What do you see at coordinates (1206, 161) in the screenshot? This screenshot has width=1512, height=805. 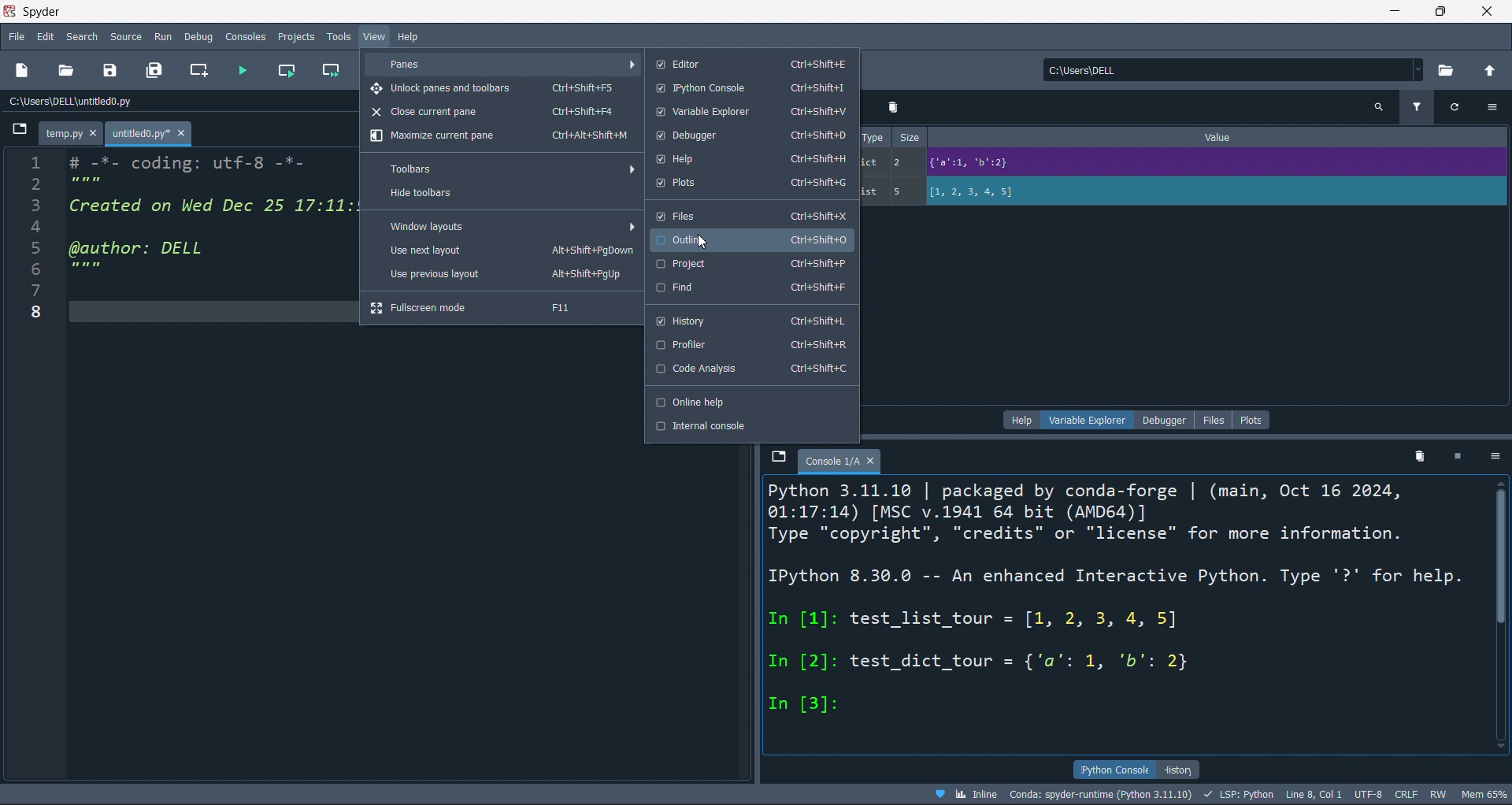 I see `value of variable` at bounding box center [1206, 161].